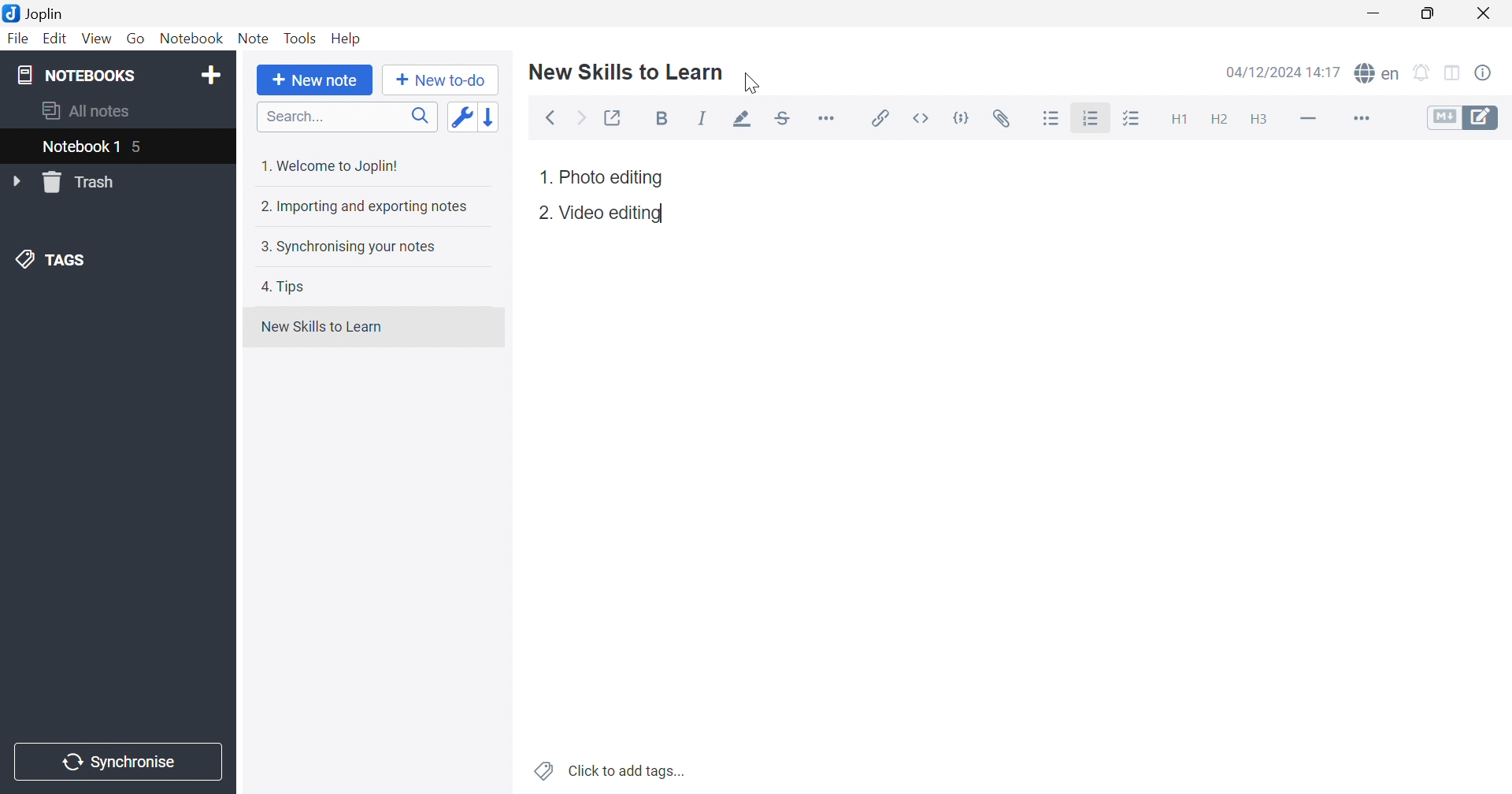 This screenshot has height=794, width=1512. Describe the element at coordinates (53, 39) in the screenshot. I see `Edit` at that location.